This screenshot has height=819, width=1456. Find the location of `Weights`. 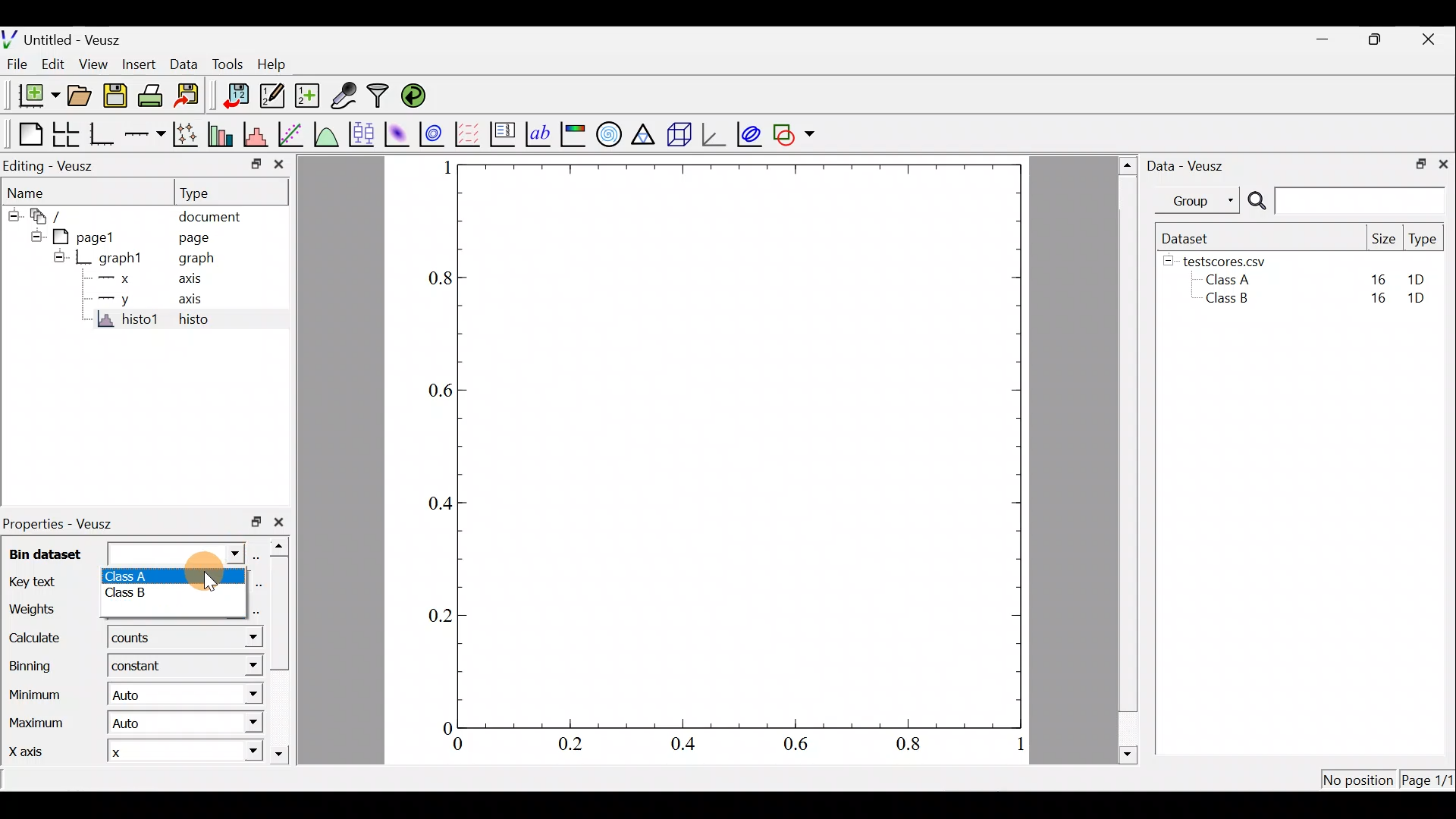

Weights is located at coordinates (47, 609).